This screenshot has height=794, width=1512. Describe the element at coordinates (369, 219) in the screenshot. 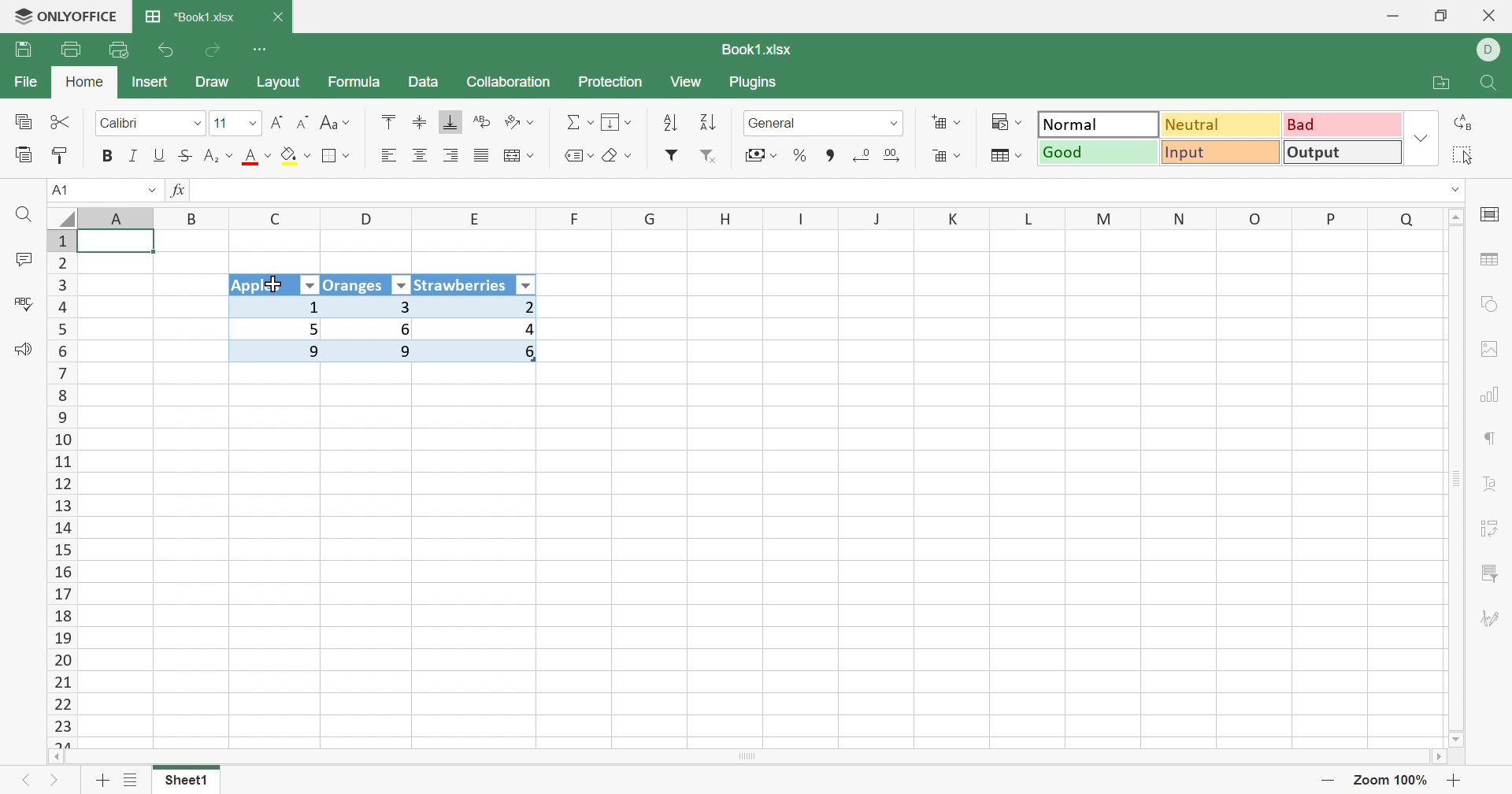

I see `D` at that location.